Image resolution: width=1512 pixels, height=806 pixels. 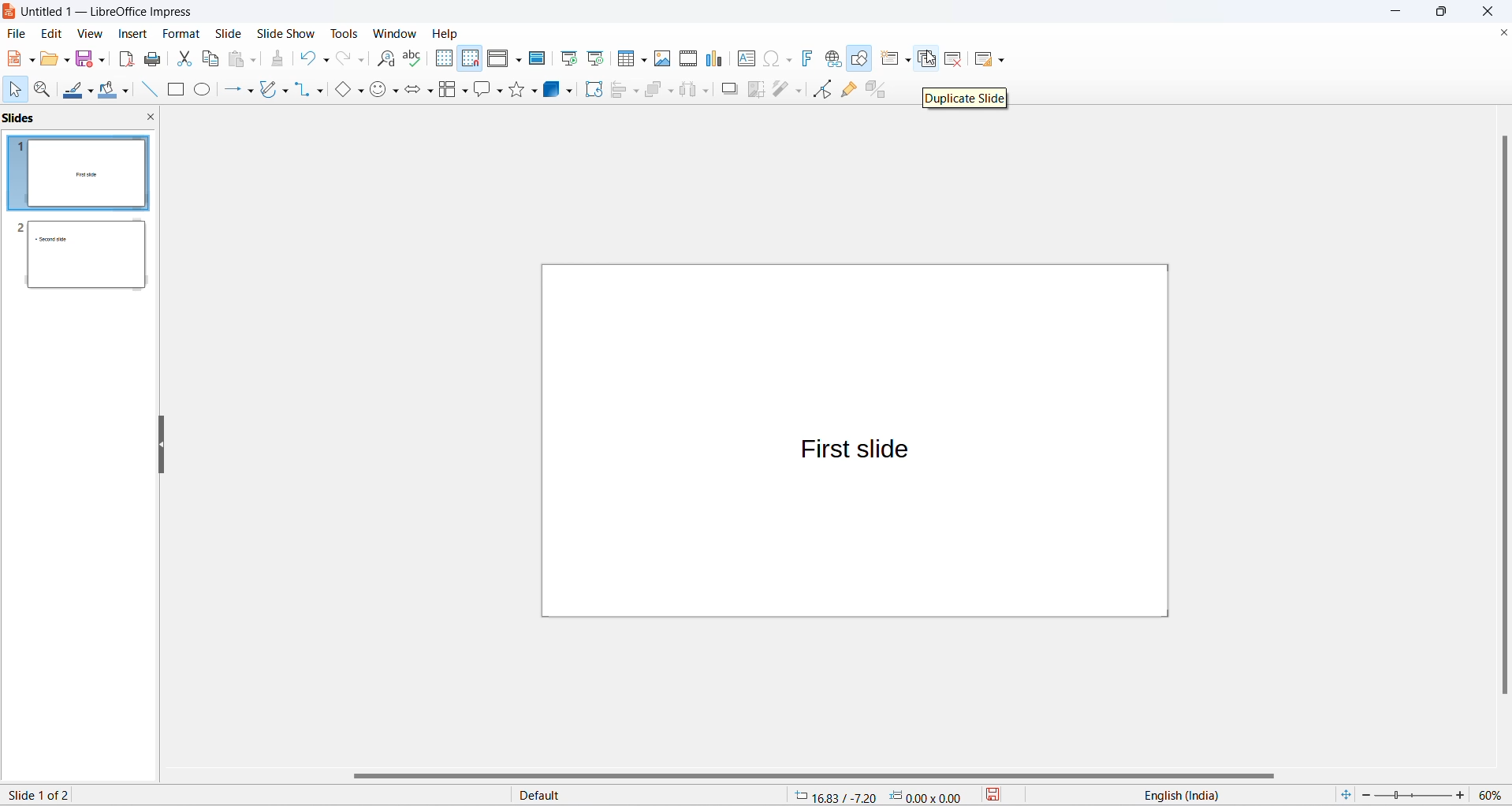 I want to click on print, so click(x=155, y=58).